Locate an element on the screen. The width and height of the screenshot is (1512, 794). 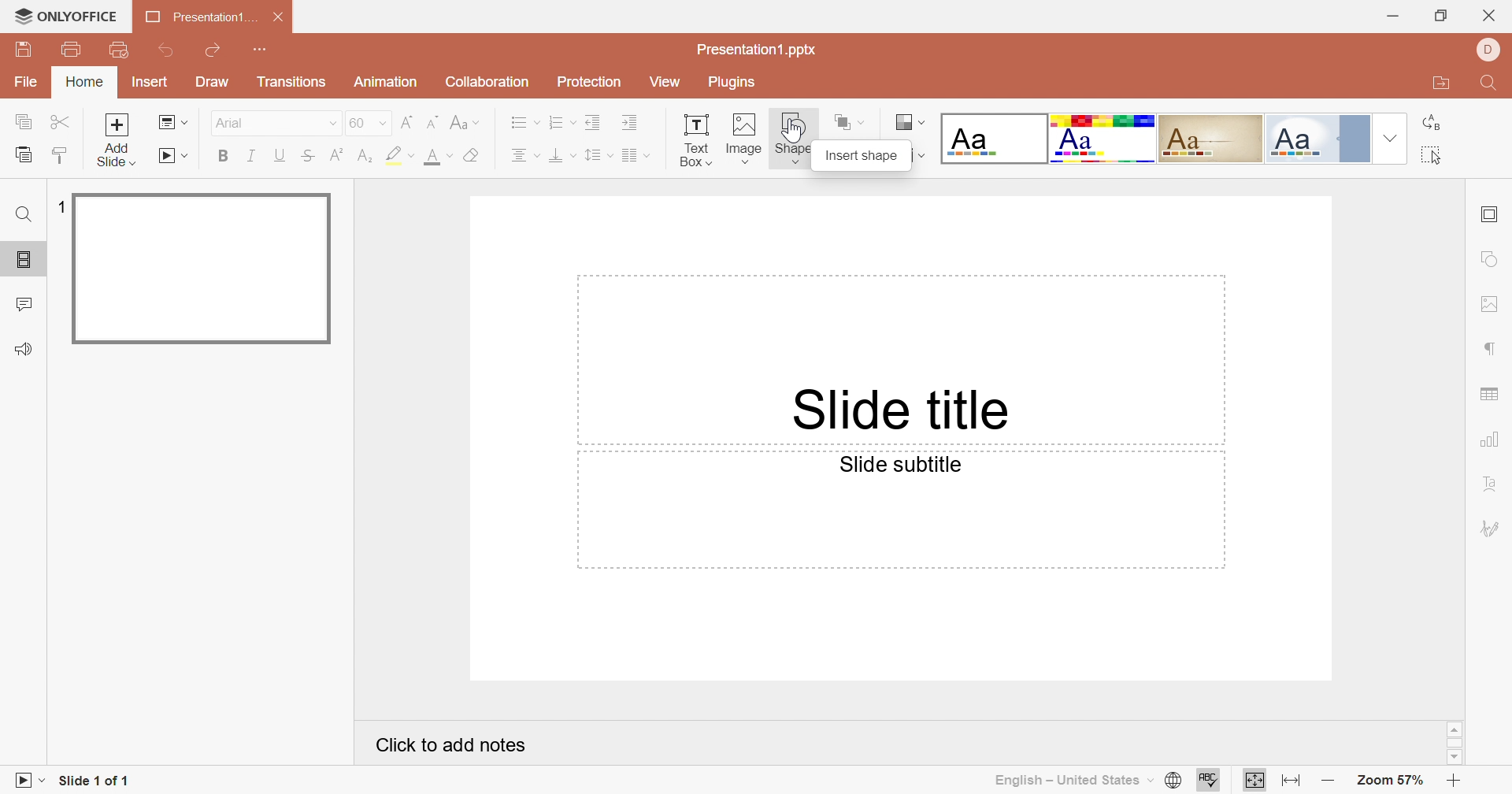
Insert is located at coordinates (149, 83).